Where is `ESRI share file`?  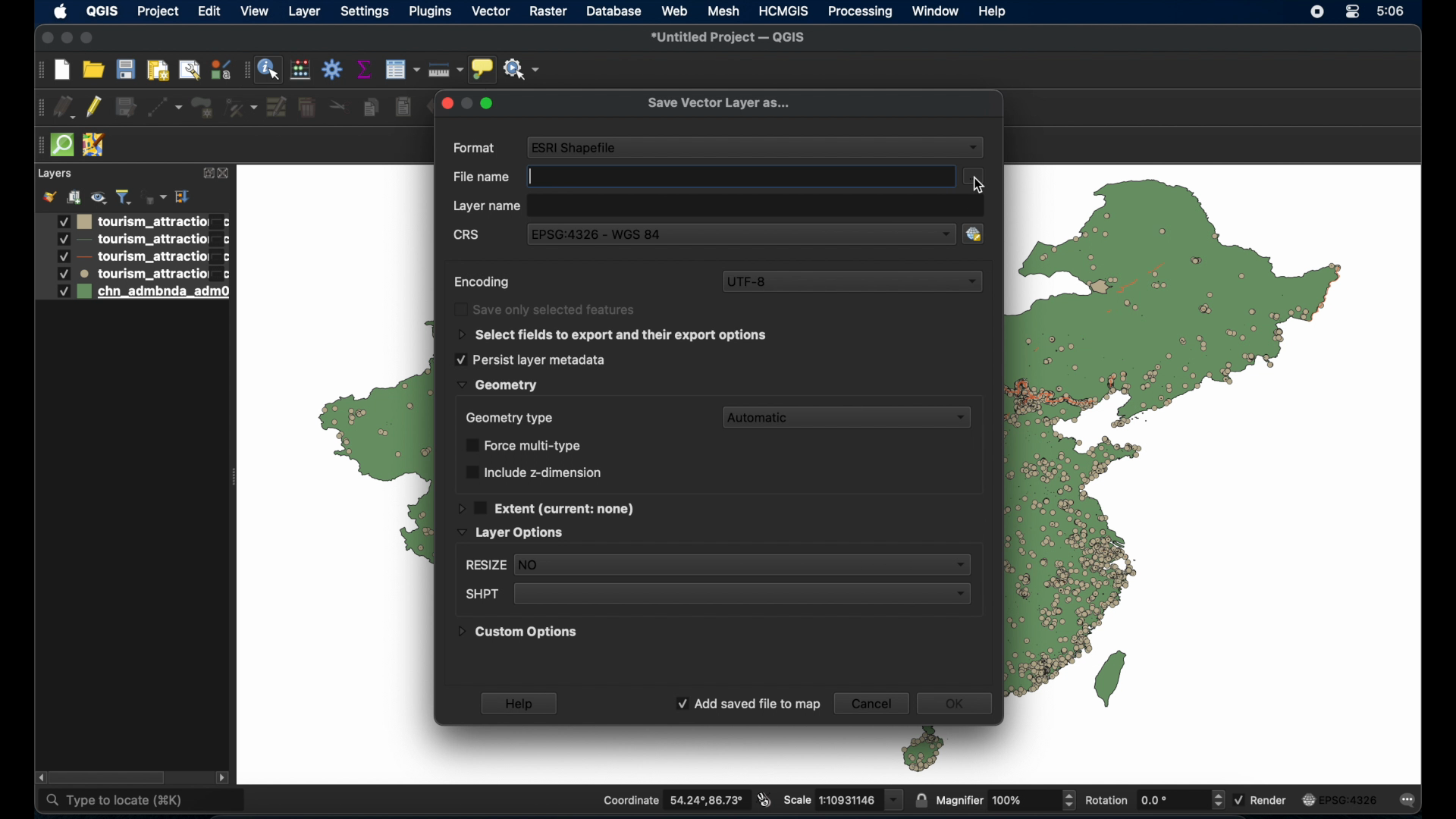 ESRI share file is located at coordinates (576, 146).